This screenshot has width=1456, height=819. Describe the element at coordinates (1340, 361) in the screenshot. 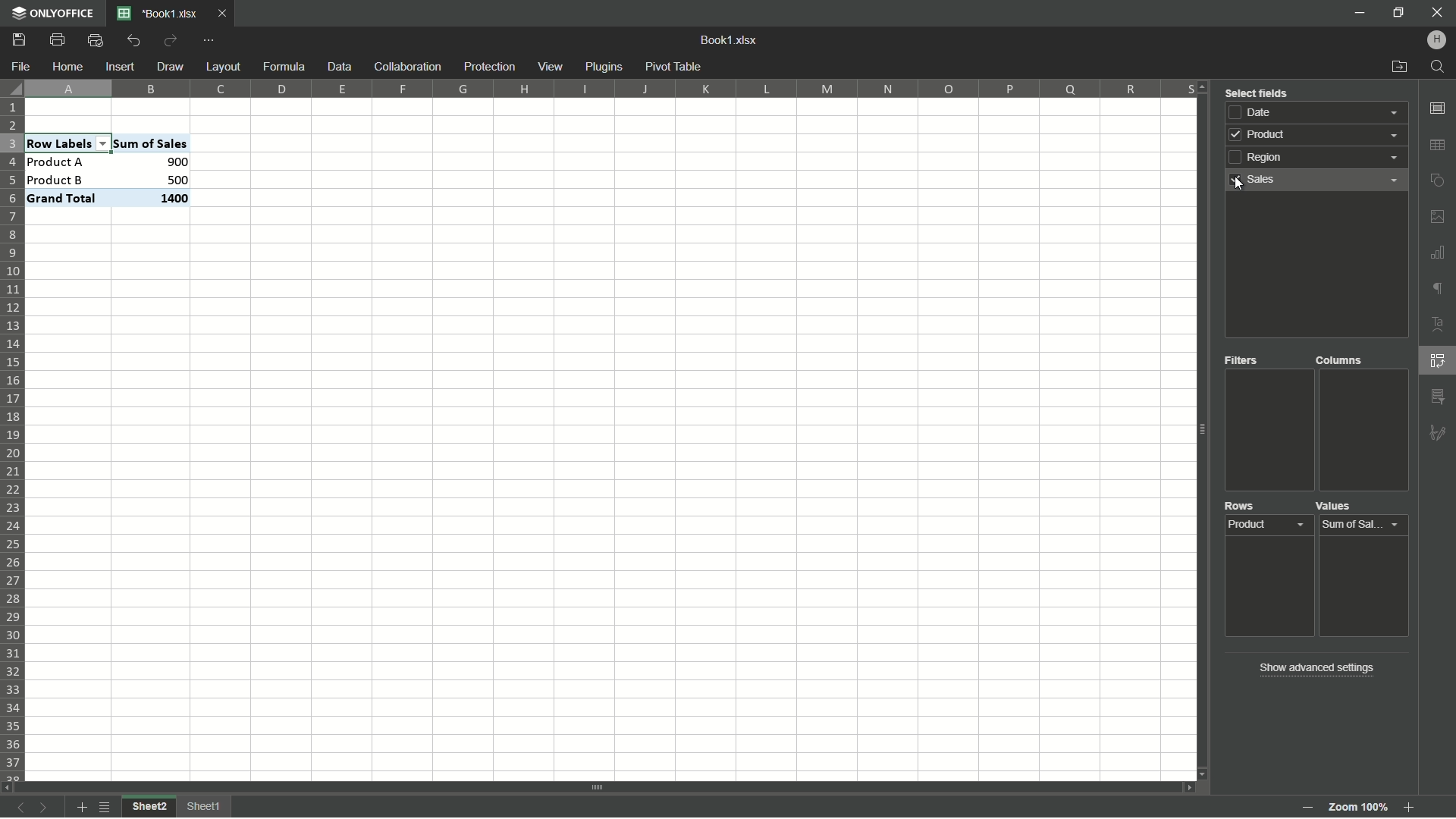

I see `Columns` at that location.